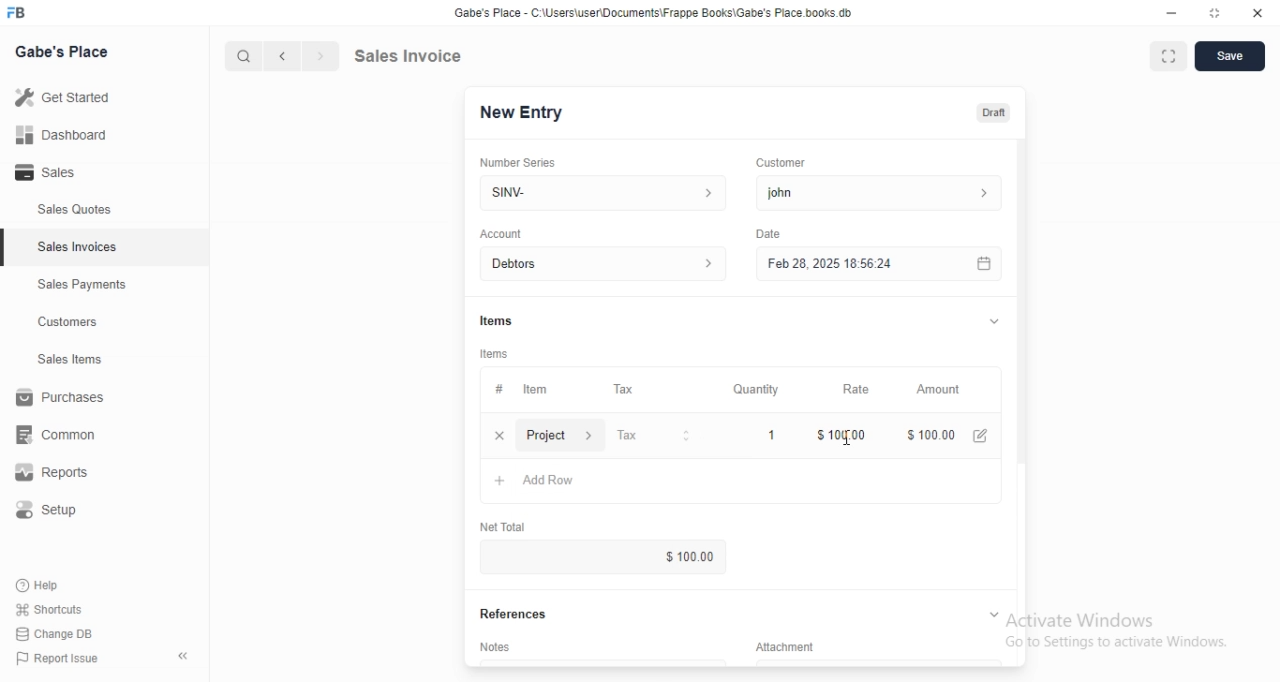 The image size is (1280, 682). I want to click on $0.00, so click(668, 557).